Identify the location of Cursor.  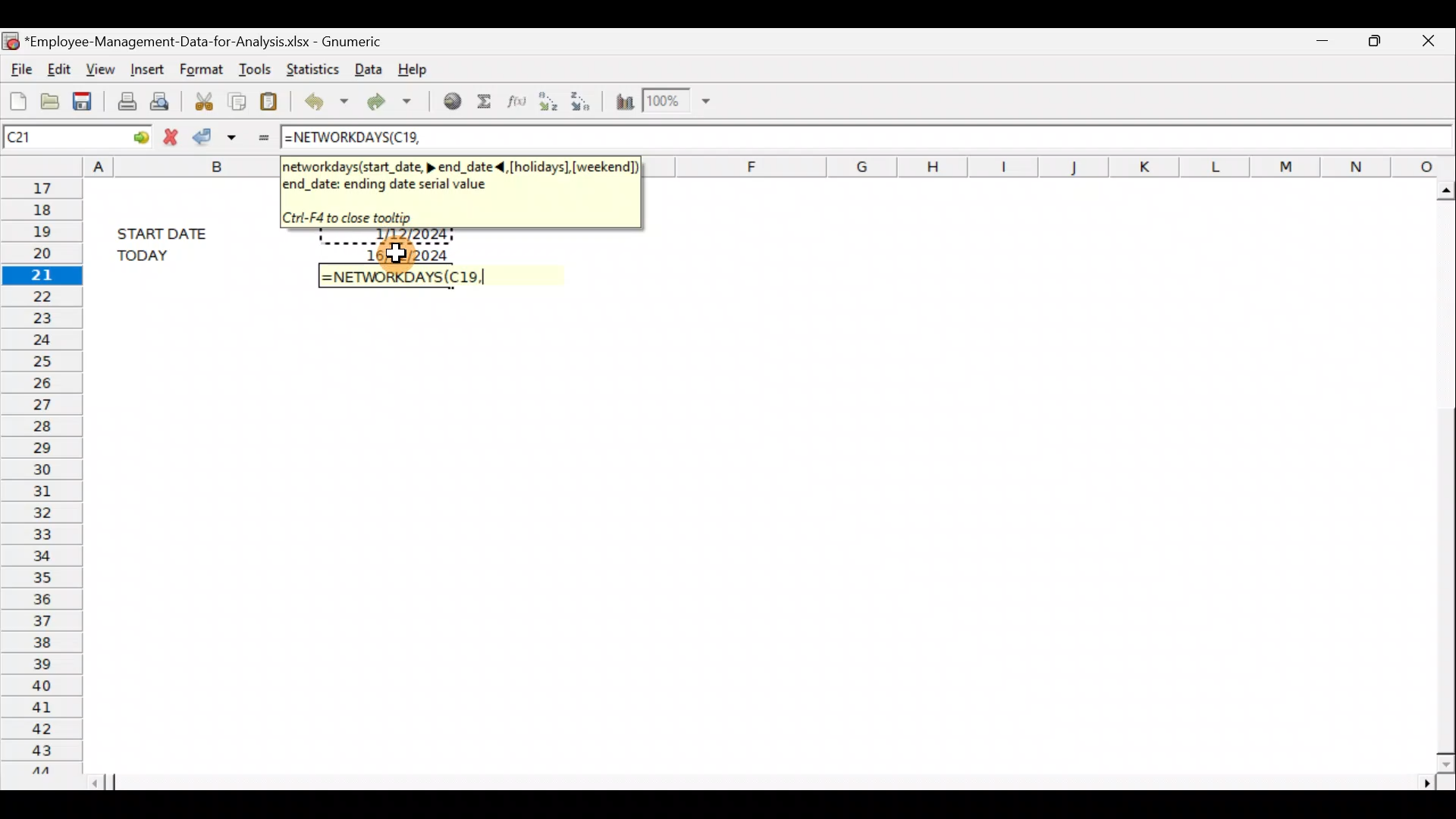
(394, 255).